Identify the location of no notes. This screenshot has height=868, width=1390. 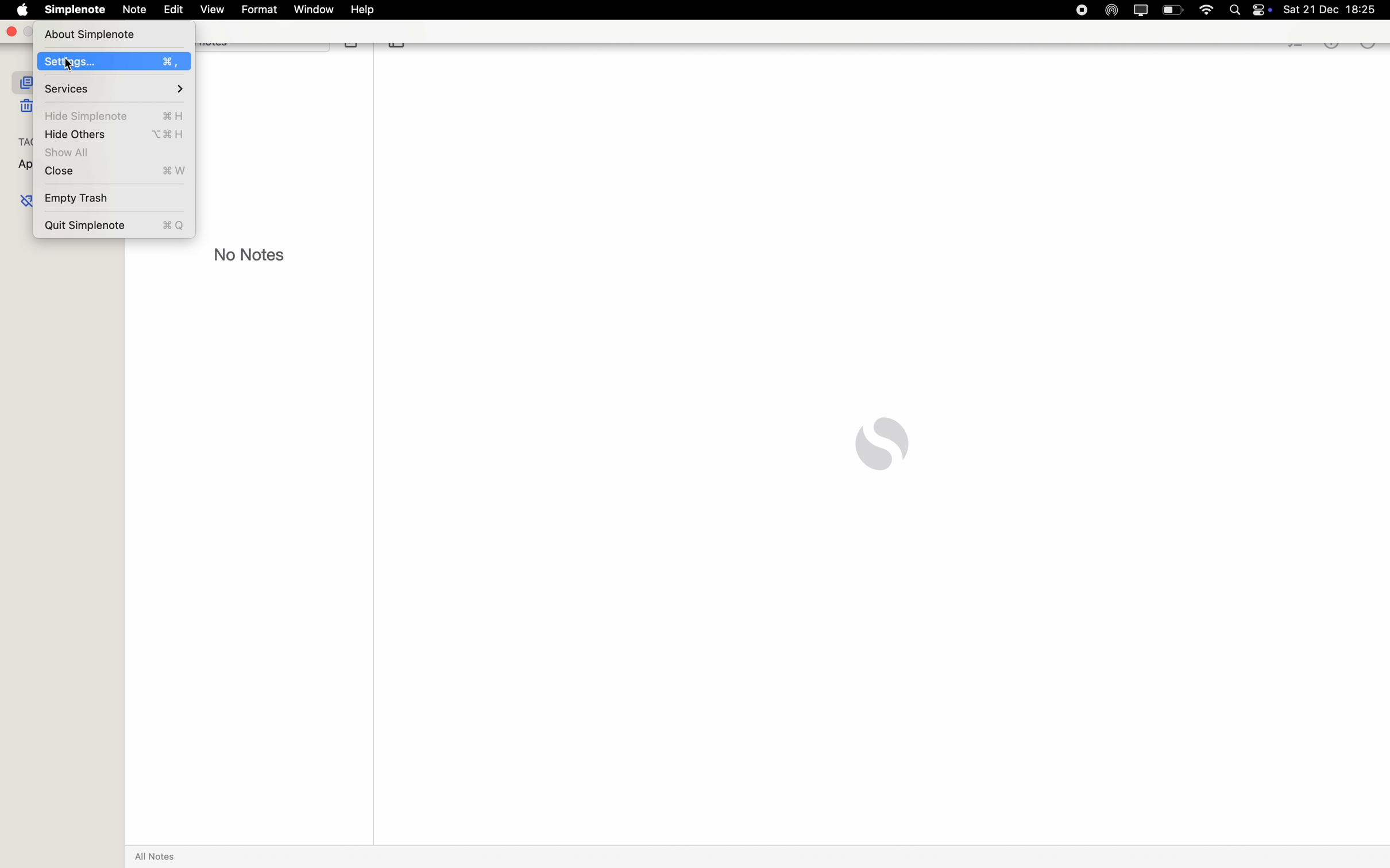
(248, 255).